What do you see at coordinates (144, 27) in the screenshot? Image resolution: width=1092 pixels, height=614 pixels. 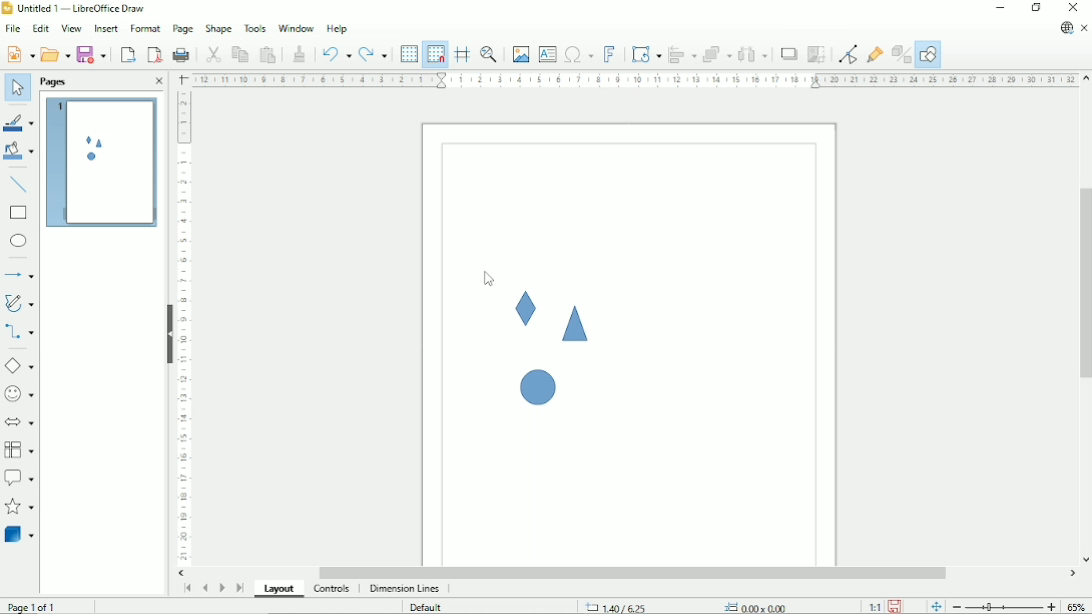 I see `Format` at bounding box center [144, 27].